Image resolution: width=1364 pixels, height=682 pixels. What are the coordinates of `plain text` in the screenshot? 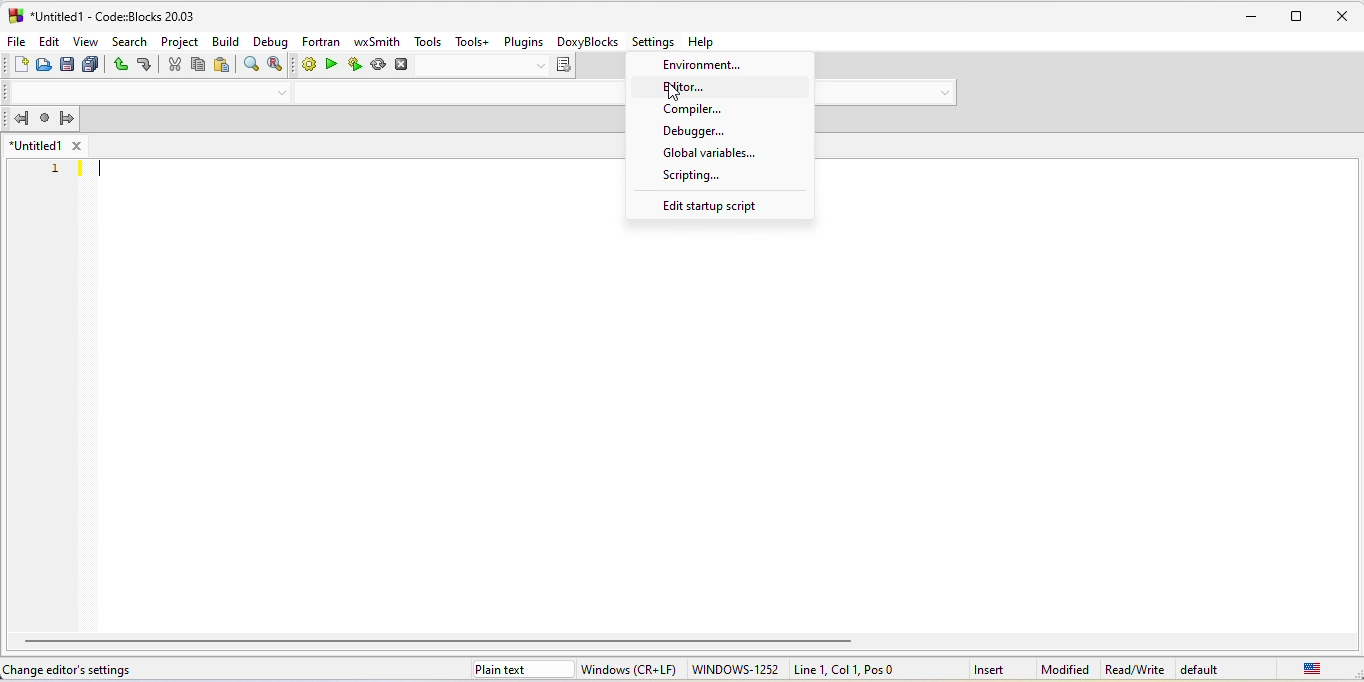 It's located at (523, 669).